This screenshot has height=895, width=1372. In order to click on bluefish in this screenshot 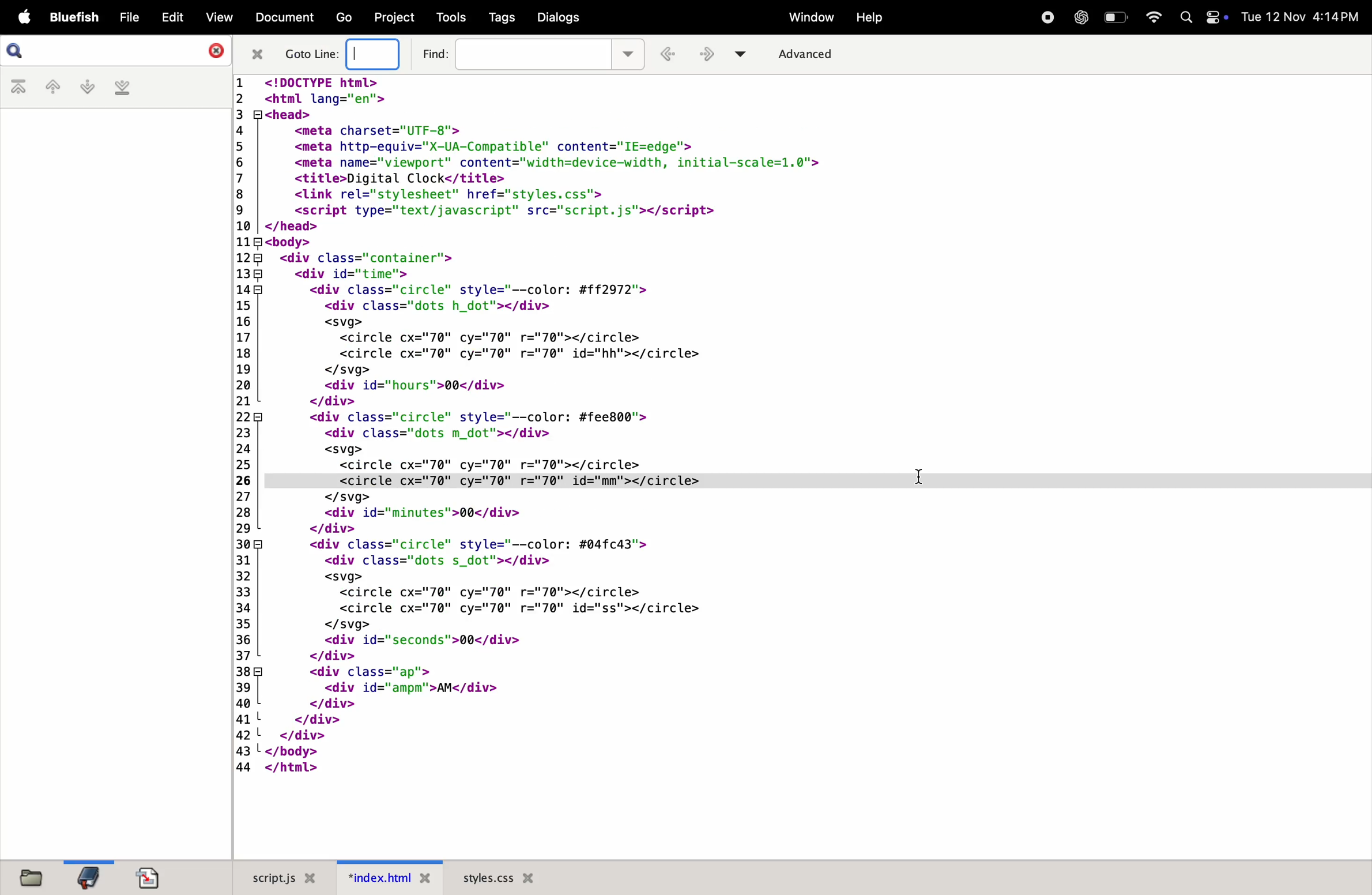, I will do `click(71, 18)`.